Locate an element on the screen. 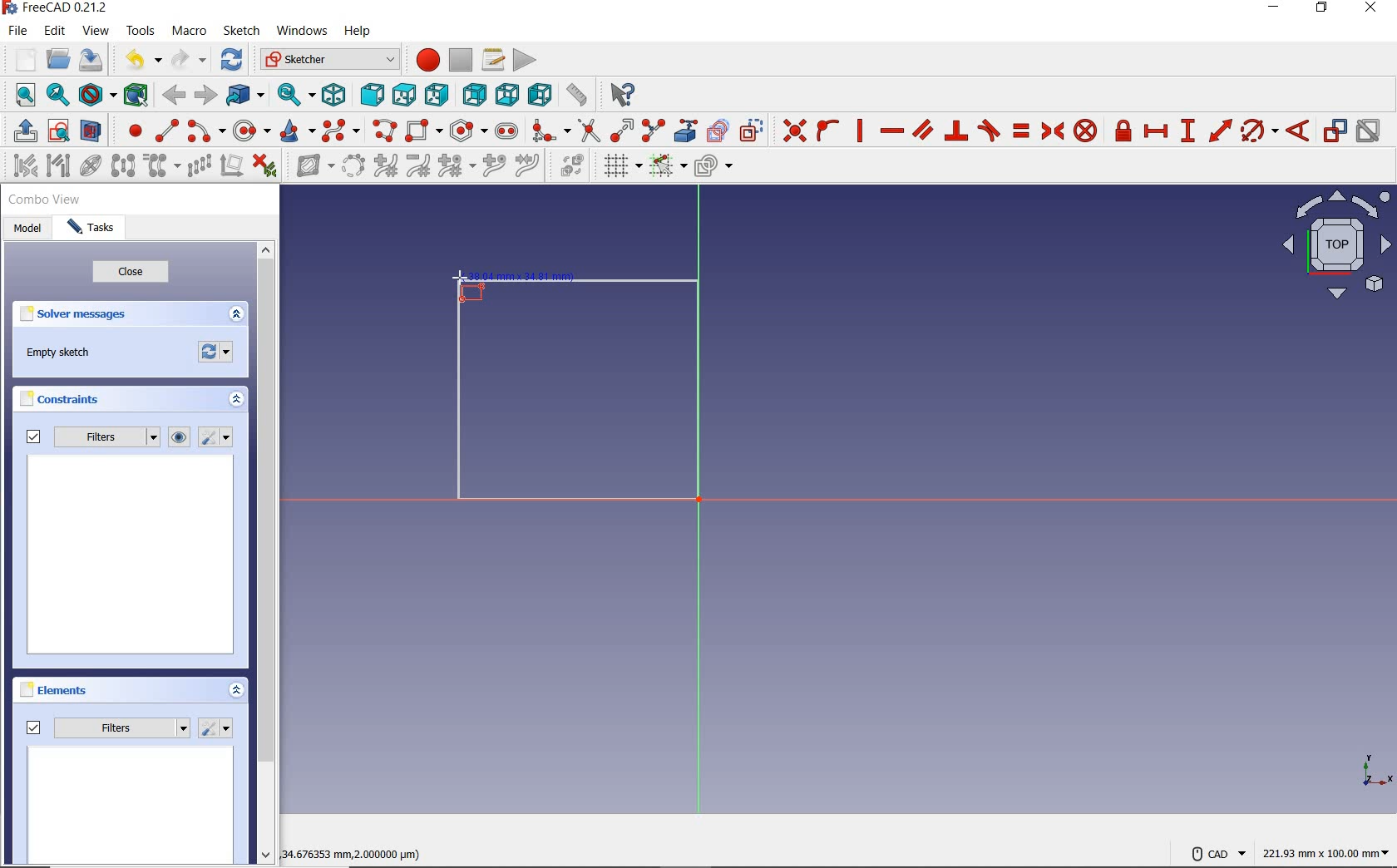  create point is located at coordinates (129, 131).